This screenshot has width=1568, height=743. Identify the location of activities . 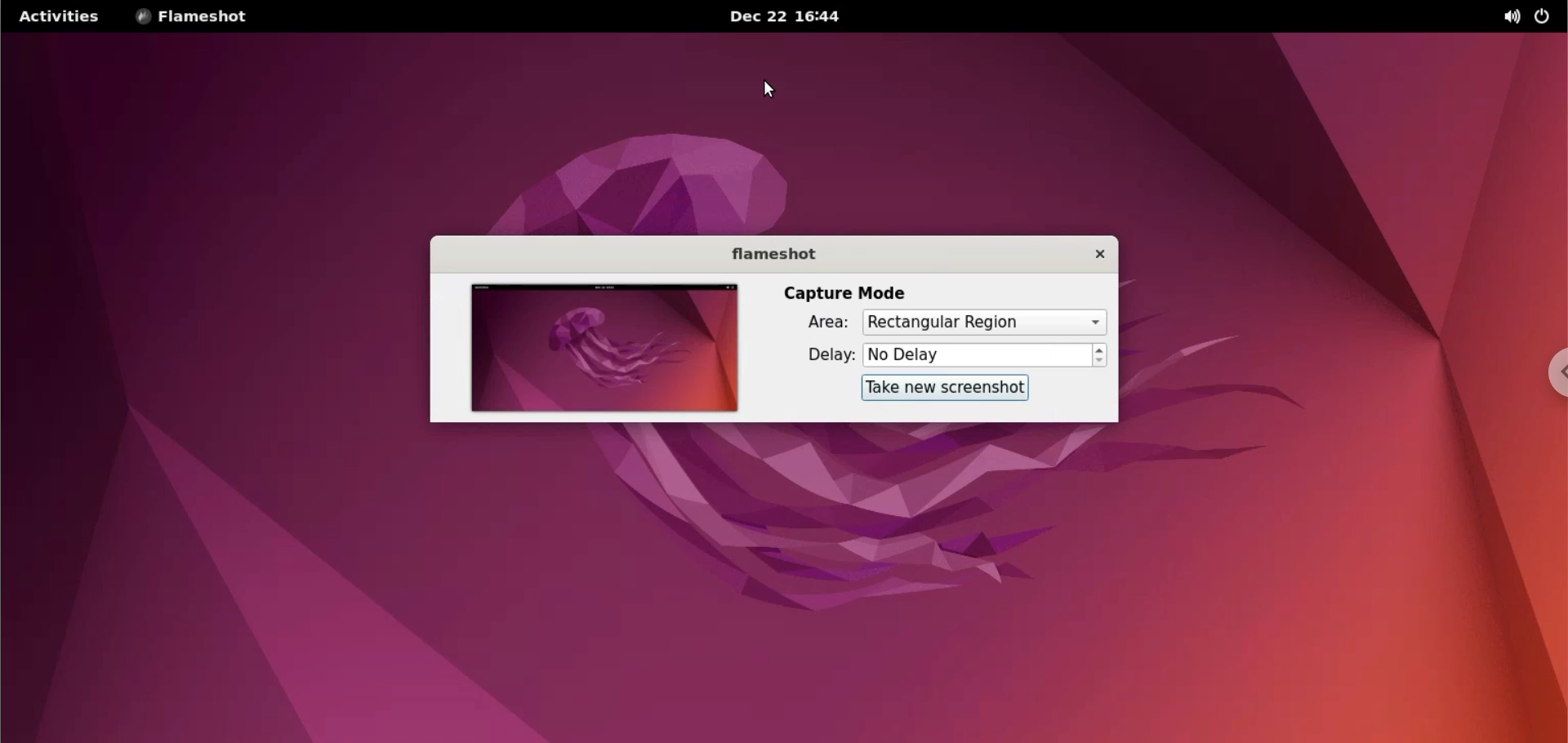
(60, 16).